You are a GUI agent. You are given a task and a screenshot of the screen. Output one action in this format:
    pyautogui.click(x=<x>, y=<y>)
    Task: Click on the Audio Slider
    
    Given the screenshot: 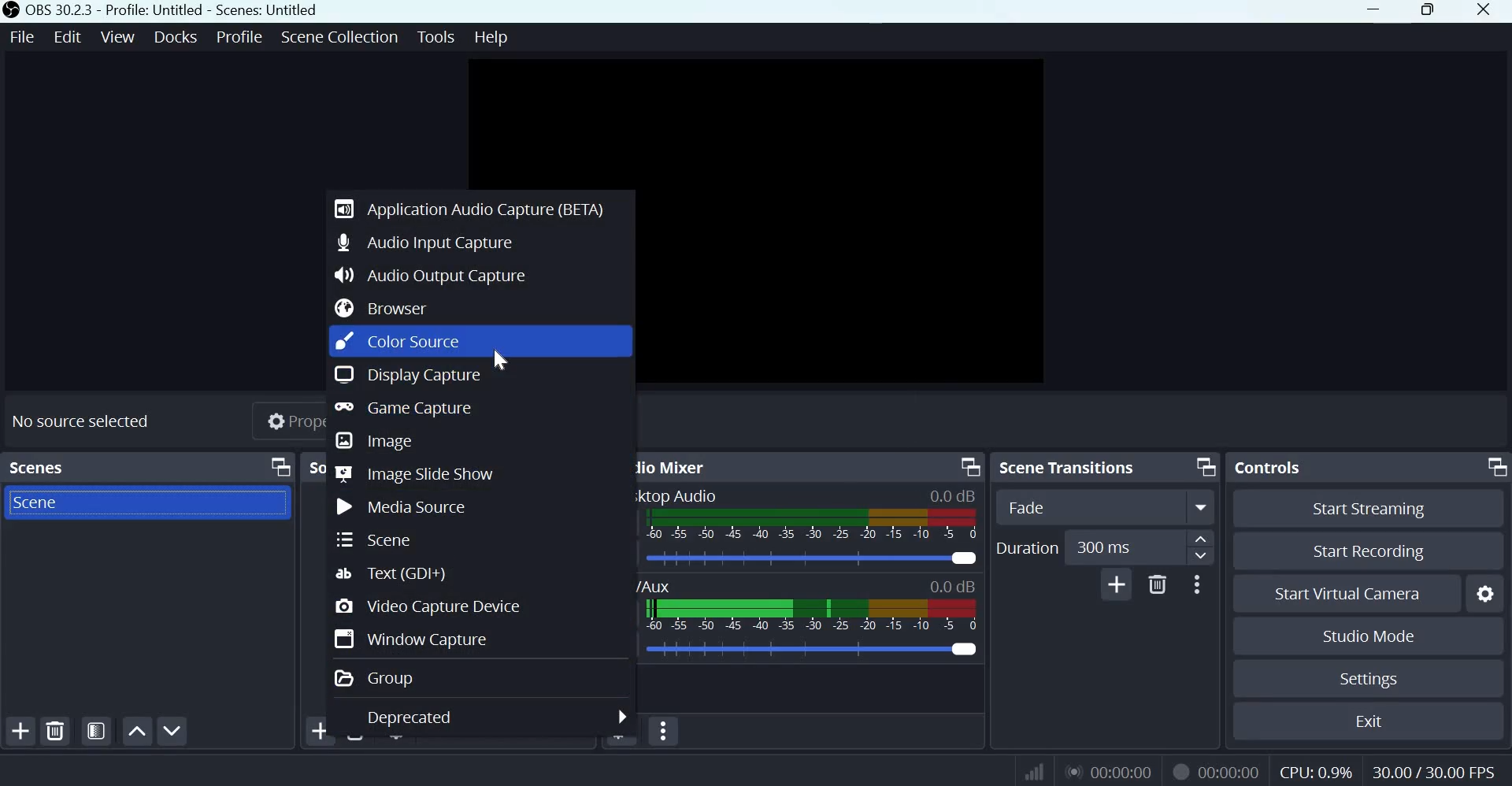 What is the action you would take?
    pyautogui.click(x=963, y=647)
    